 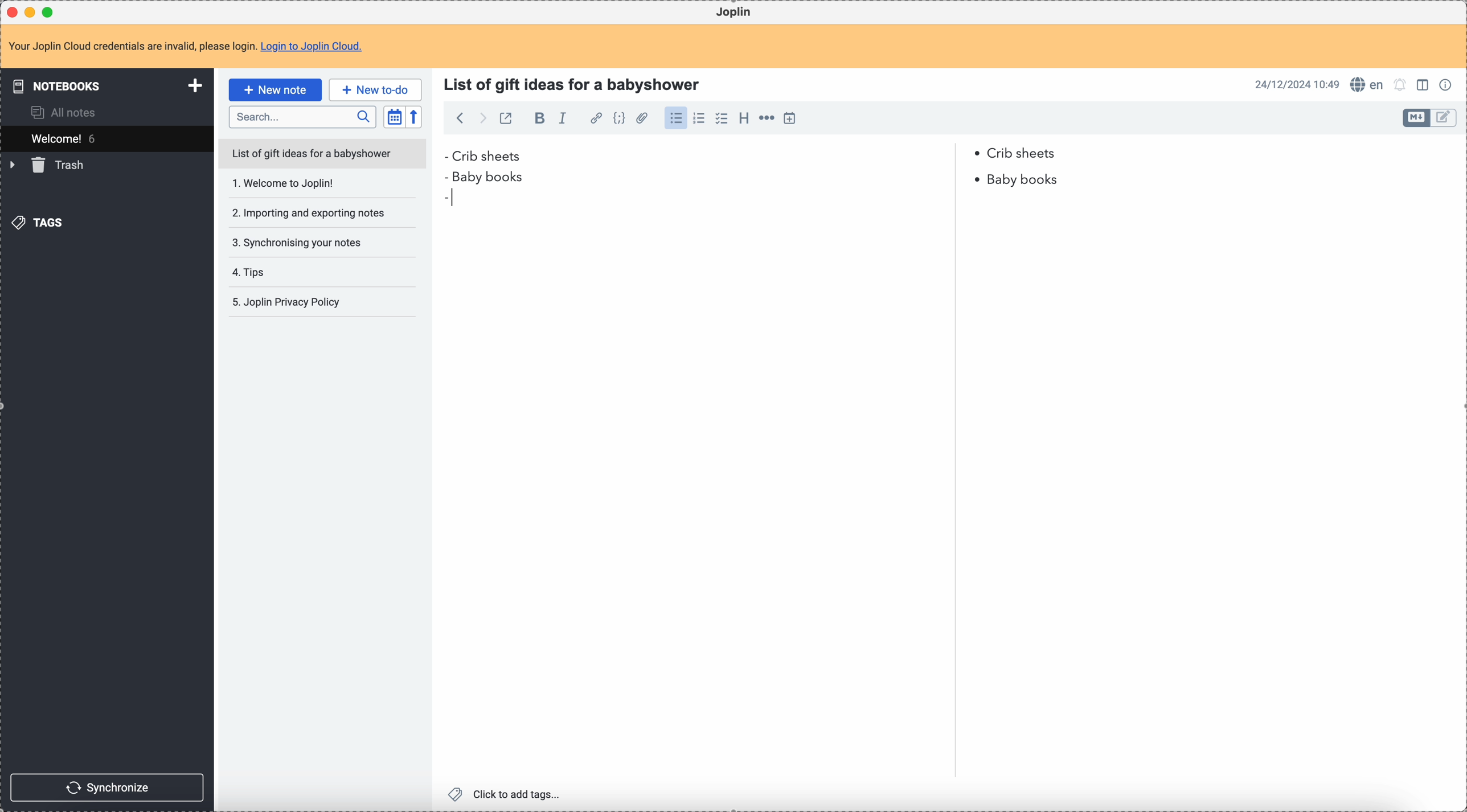 I want to click on tips, so click(x=284, y=272).